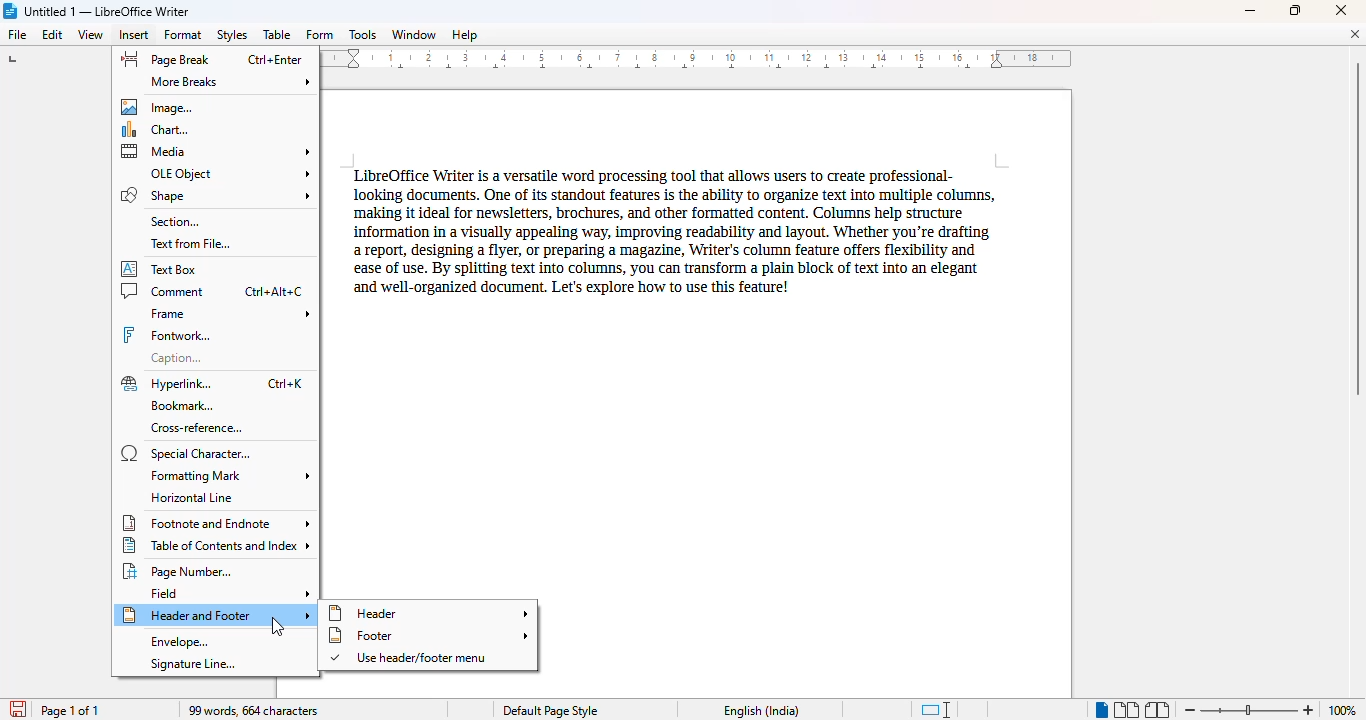  Describe the element at coordinates (700, 60) in the screenshot. I see `ruler` at that location.